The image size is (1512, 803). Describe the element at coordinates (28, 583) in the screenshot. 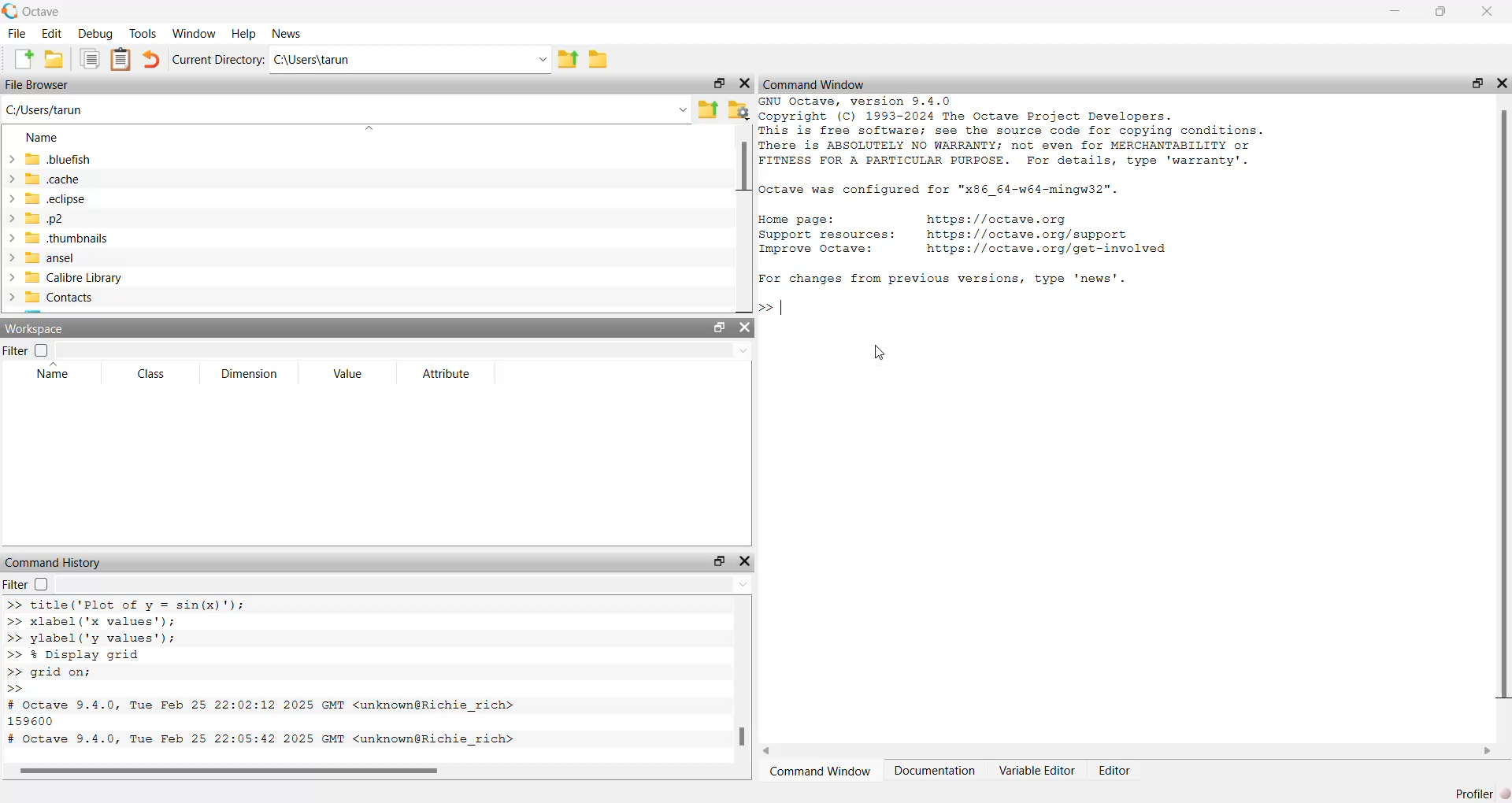

I see `Filter checkbox` at that location.